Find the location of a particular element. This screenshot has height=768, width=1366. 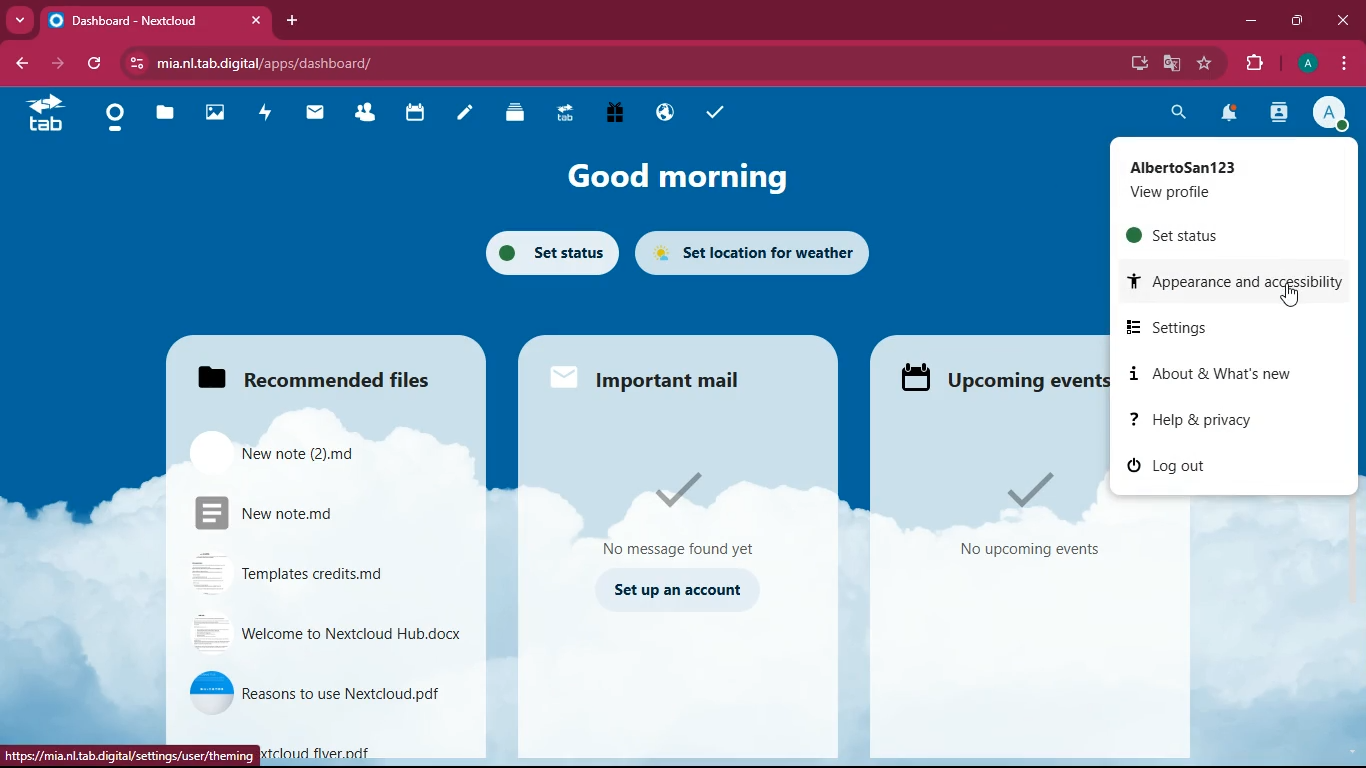

set up an account is located at coordinates (686, 593).